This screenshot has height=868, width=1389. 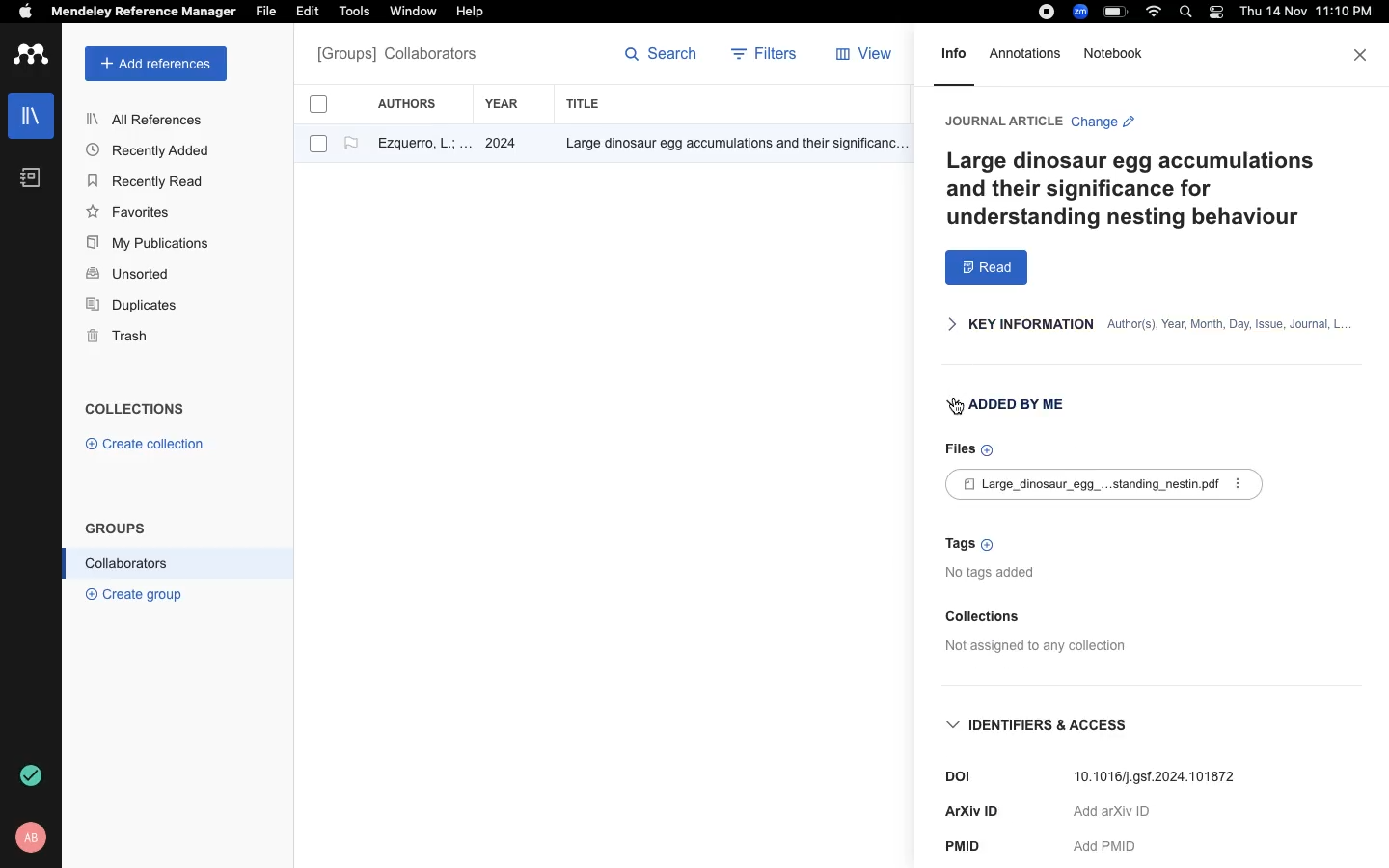 What do you see at coordinates (987, 268) in the screenshot?
I see `read` at bounding box center [987, 268].